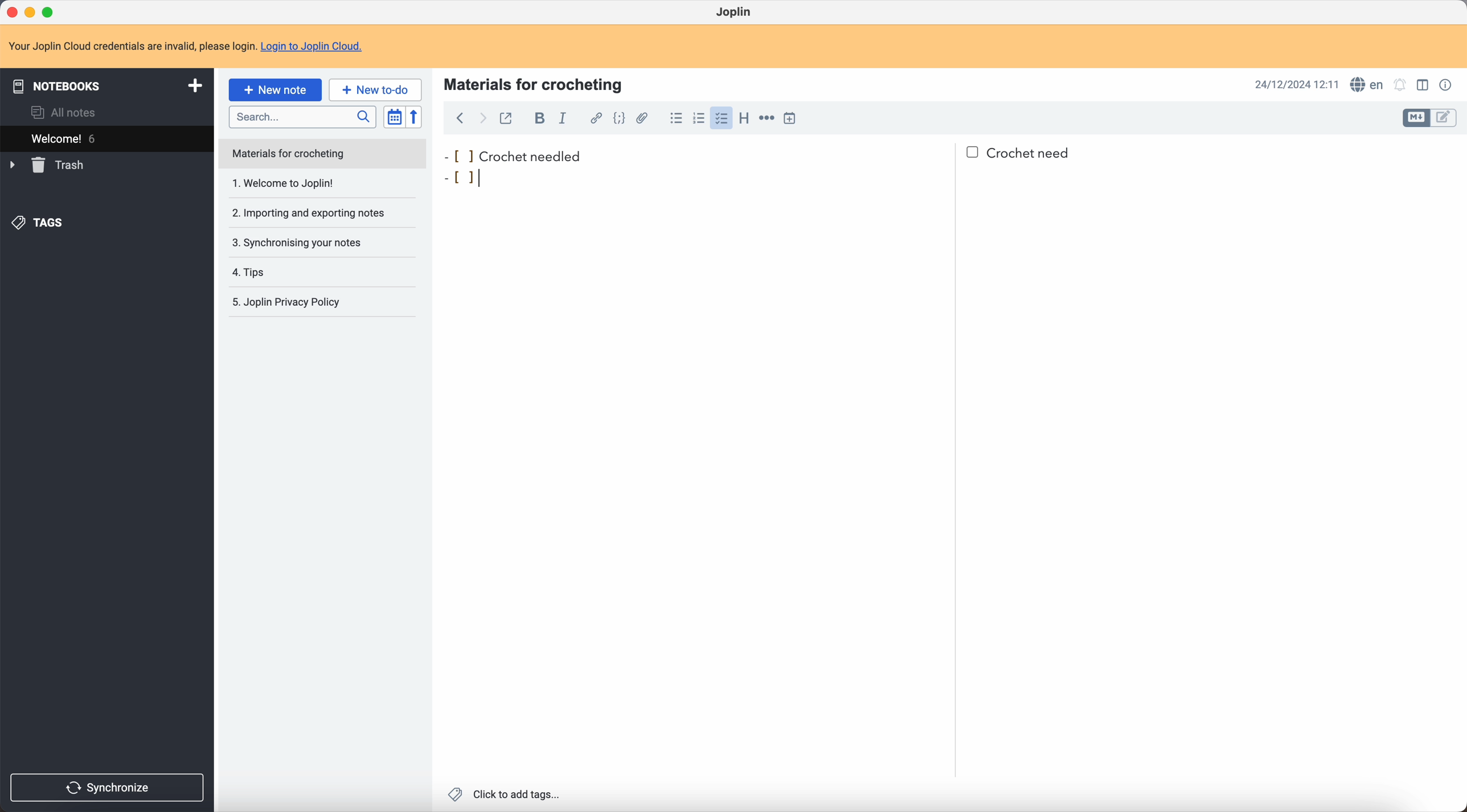  What do you see at coordinates (481, 120) in the screenshot?
I see `foward` at bounding box center [481, 120].